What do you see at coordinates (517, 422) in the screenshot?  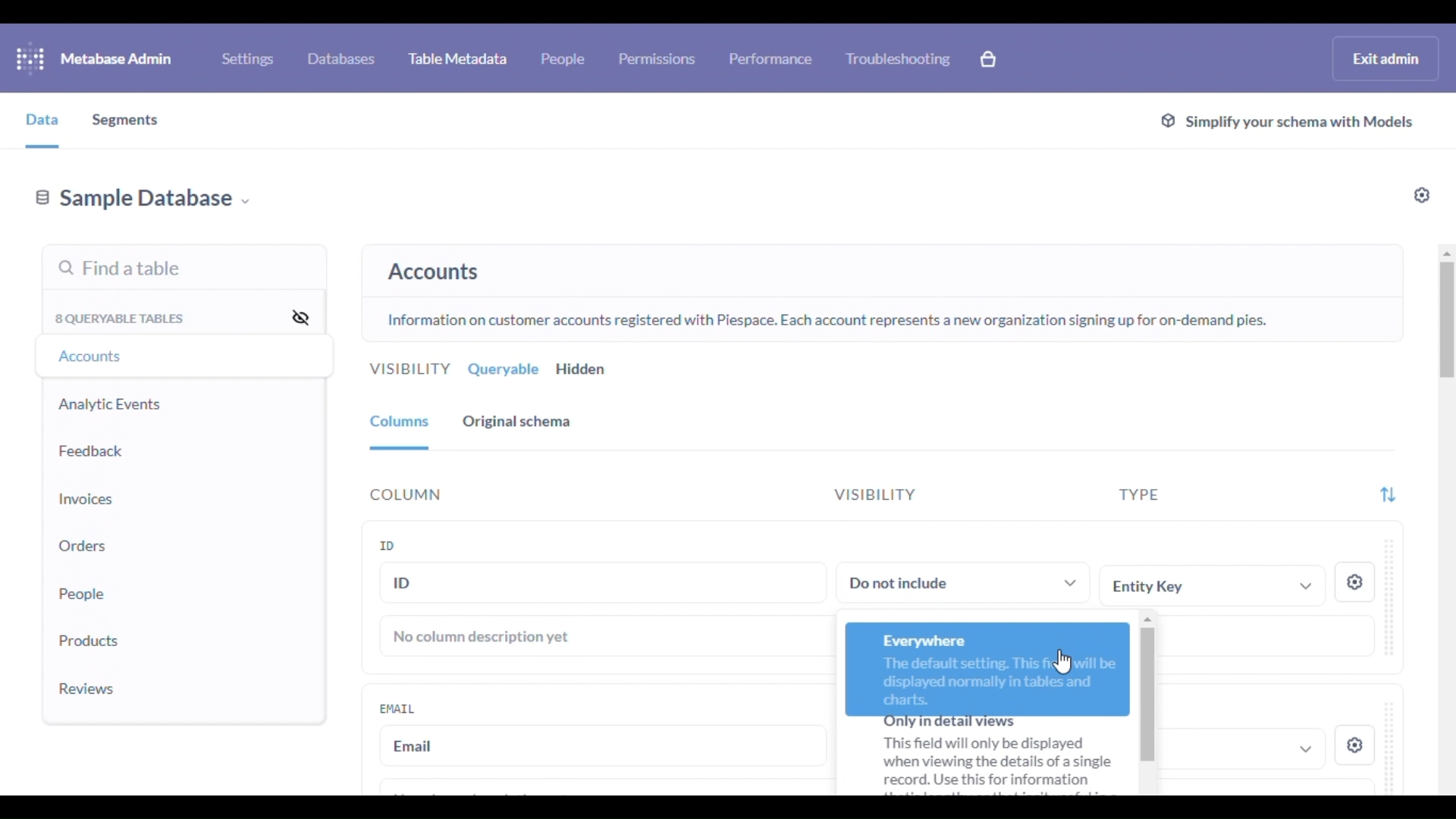 I see `original schema` at bounding box center [517, 422].